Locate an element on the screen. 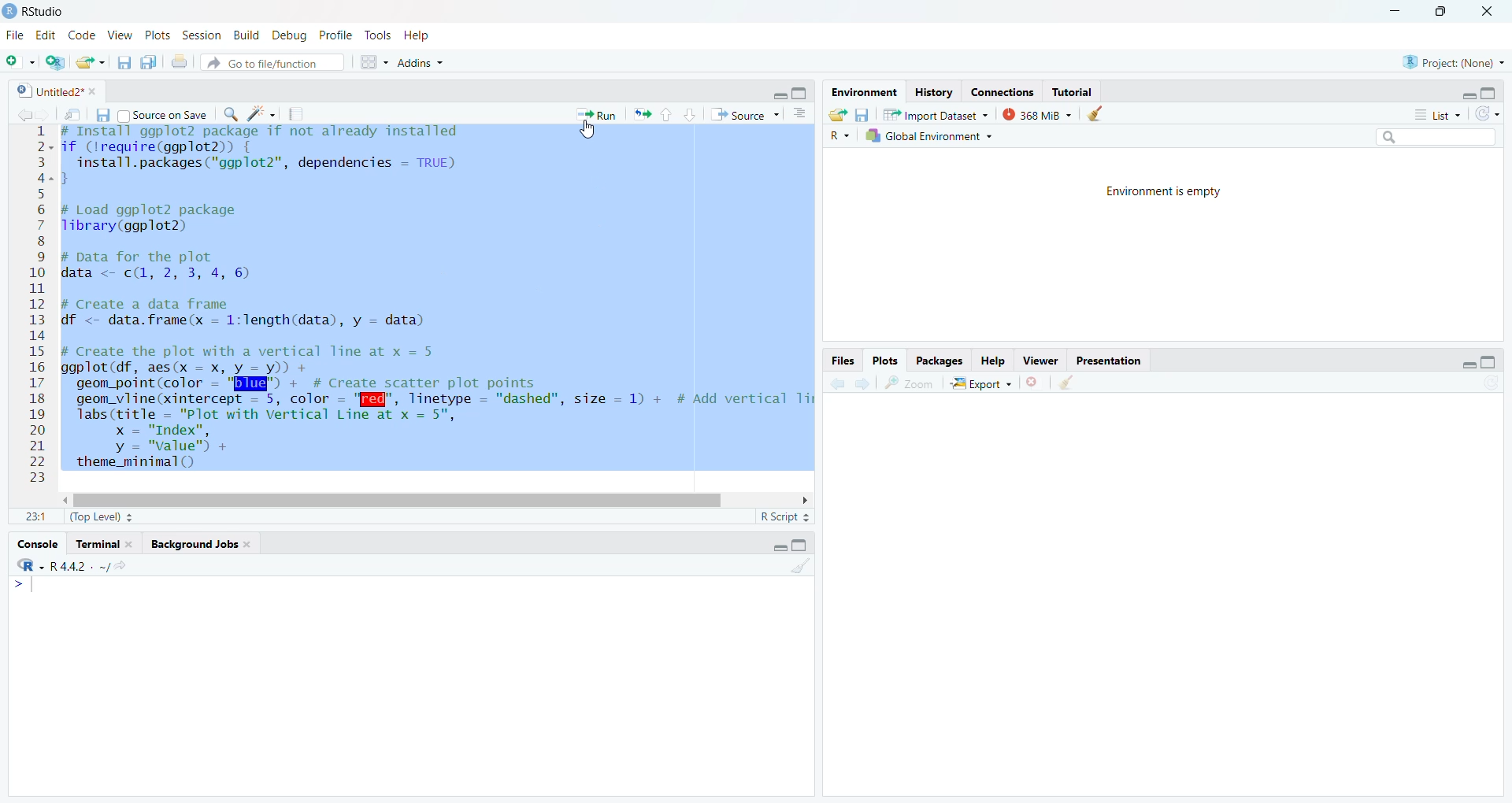 The image size is (1512, 803). Packages is located at coordinates (932, 359).